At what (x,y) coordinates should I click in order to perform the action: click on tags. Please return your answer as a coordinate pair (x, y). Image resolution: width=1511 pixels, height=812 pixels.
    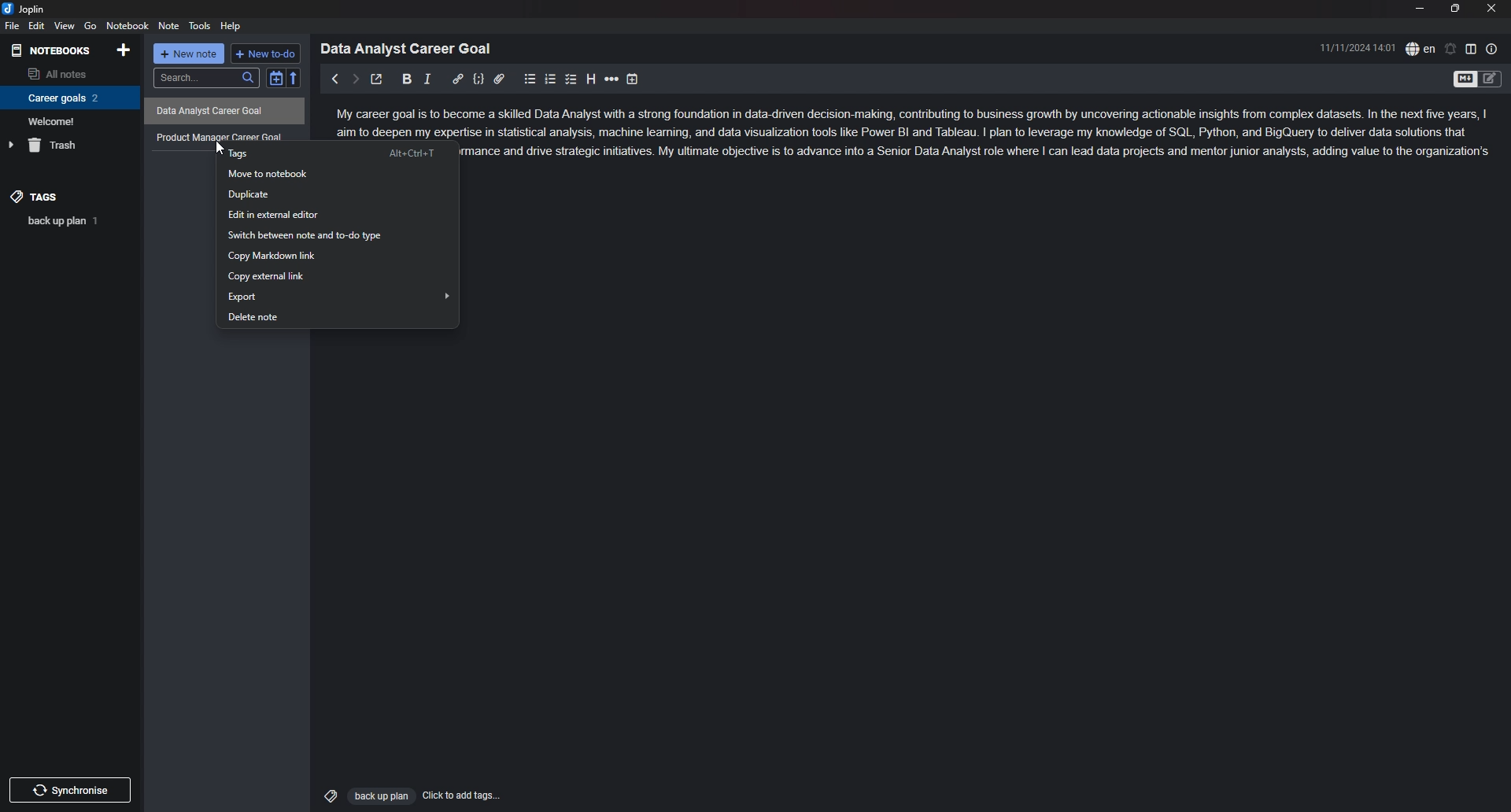
    Looking at the image, I should click on (332, 153).